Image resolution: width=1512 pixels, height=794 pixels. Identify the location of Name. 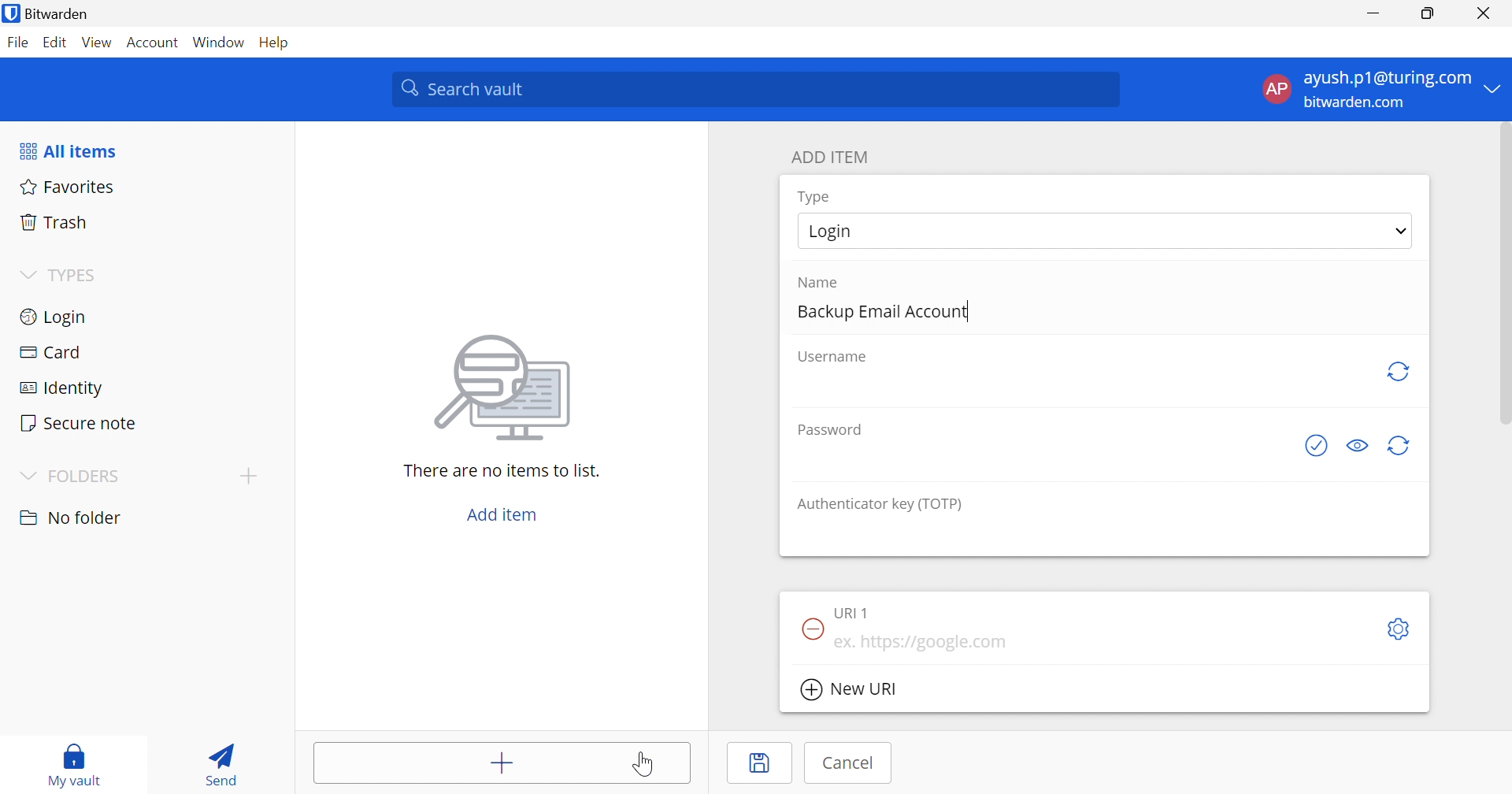
(818, 283).